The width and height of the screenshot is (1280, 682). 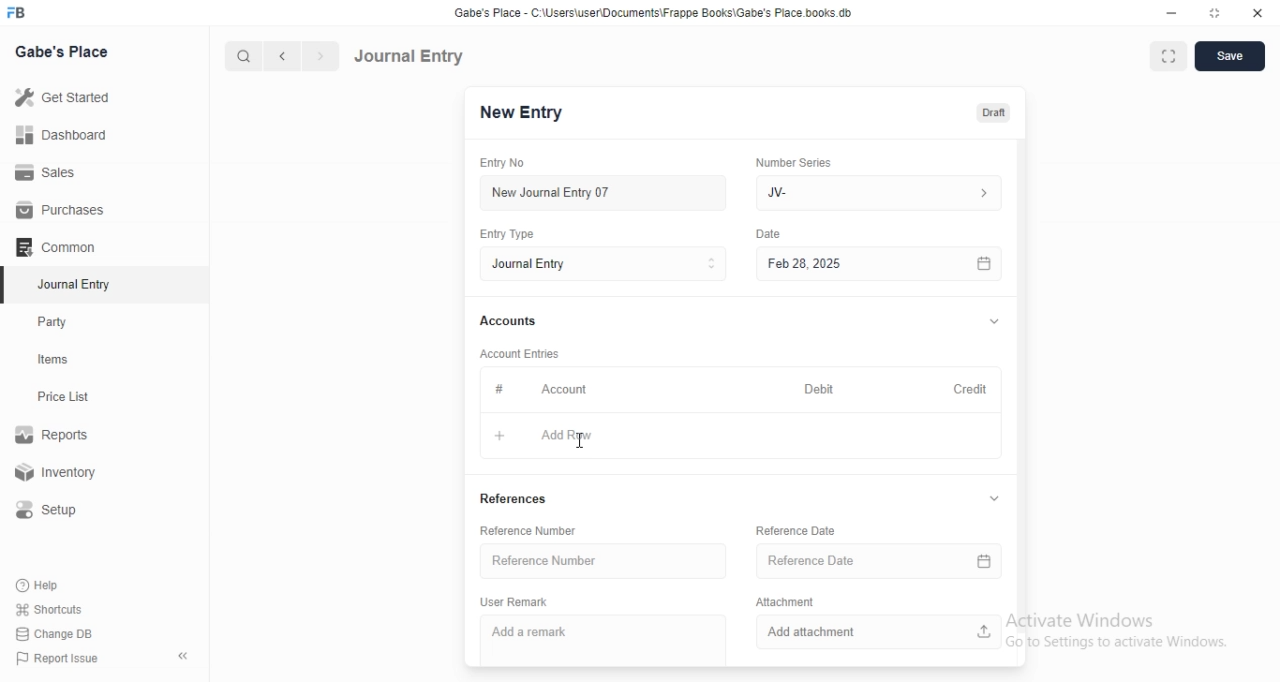 I want to click on Journal Entry, so click(x=409, y=56).